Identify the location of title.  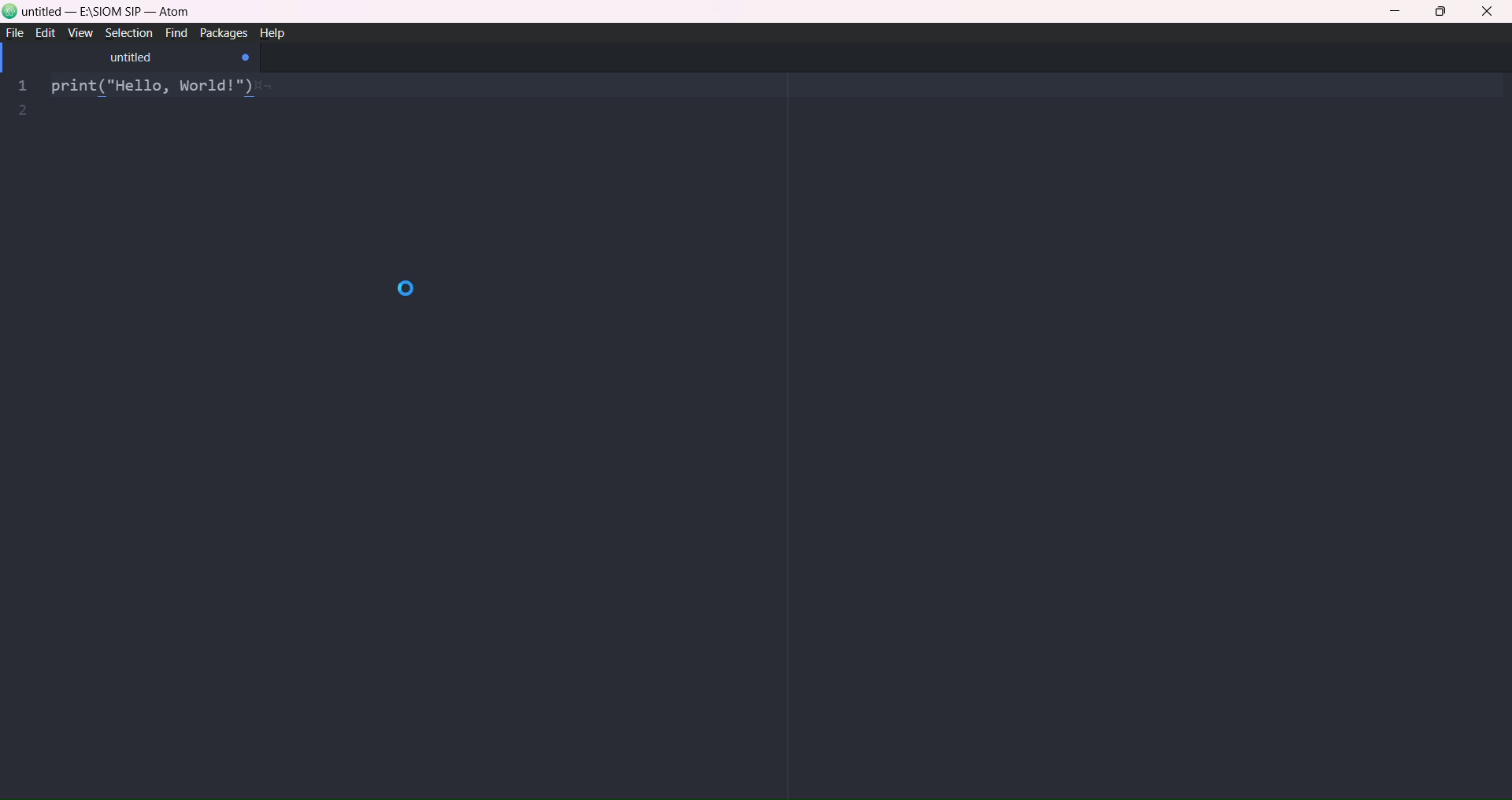
(109, 13).